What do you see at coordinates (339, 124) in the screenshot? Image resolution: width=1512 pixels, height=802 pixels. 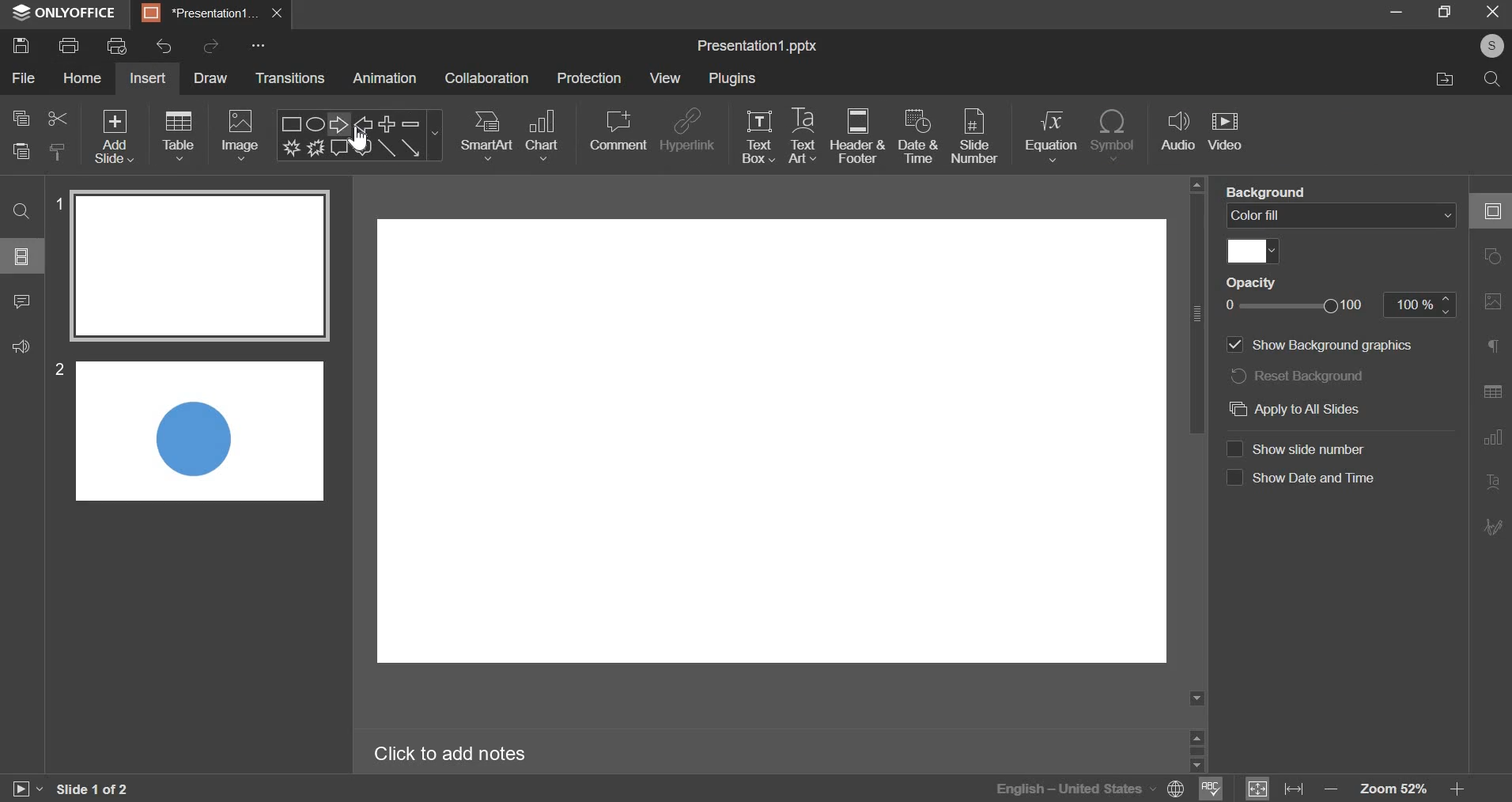 I see `Right arrow` at bounding box center [339, 124].